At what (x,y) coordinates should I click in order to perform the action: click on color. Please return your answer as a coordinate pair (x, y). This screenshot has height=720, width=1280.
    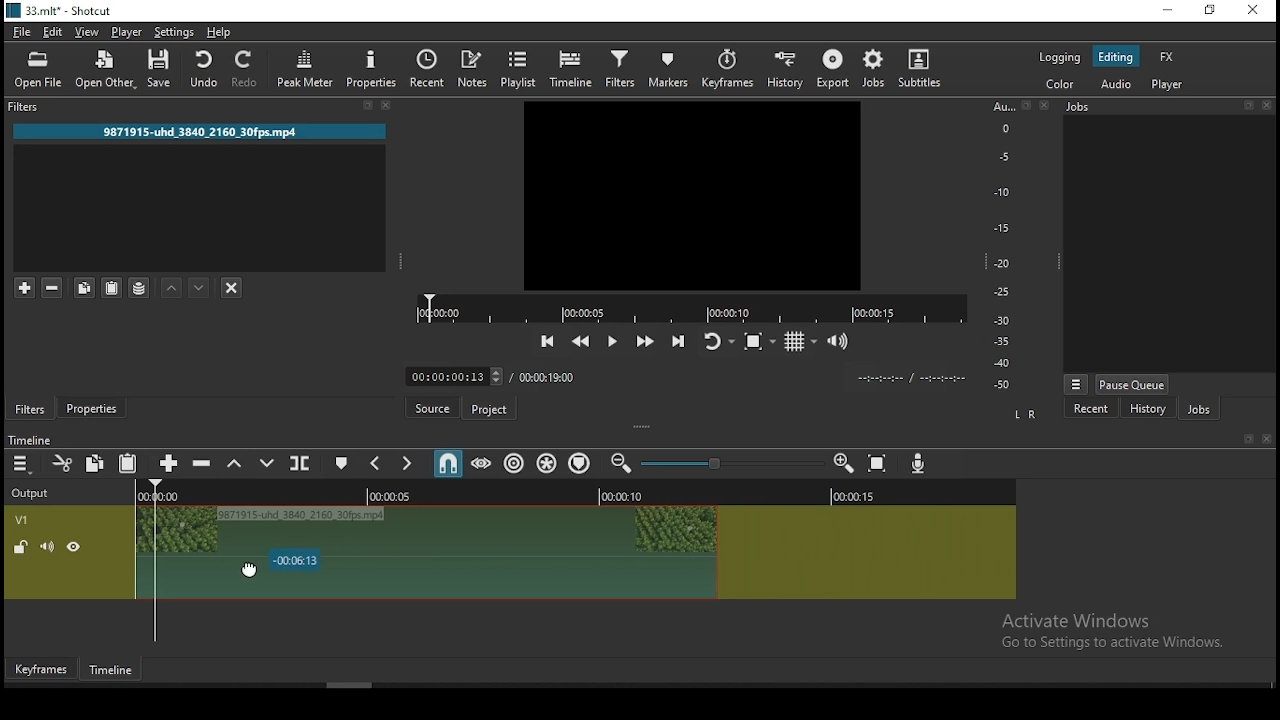
    Looking at the image, I should click on (1063, 86).